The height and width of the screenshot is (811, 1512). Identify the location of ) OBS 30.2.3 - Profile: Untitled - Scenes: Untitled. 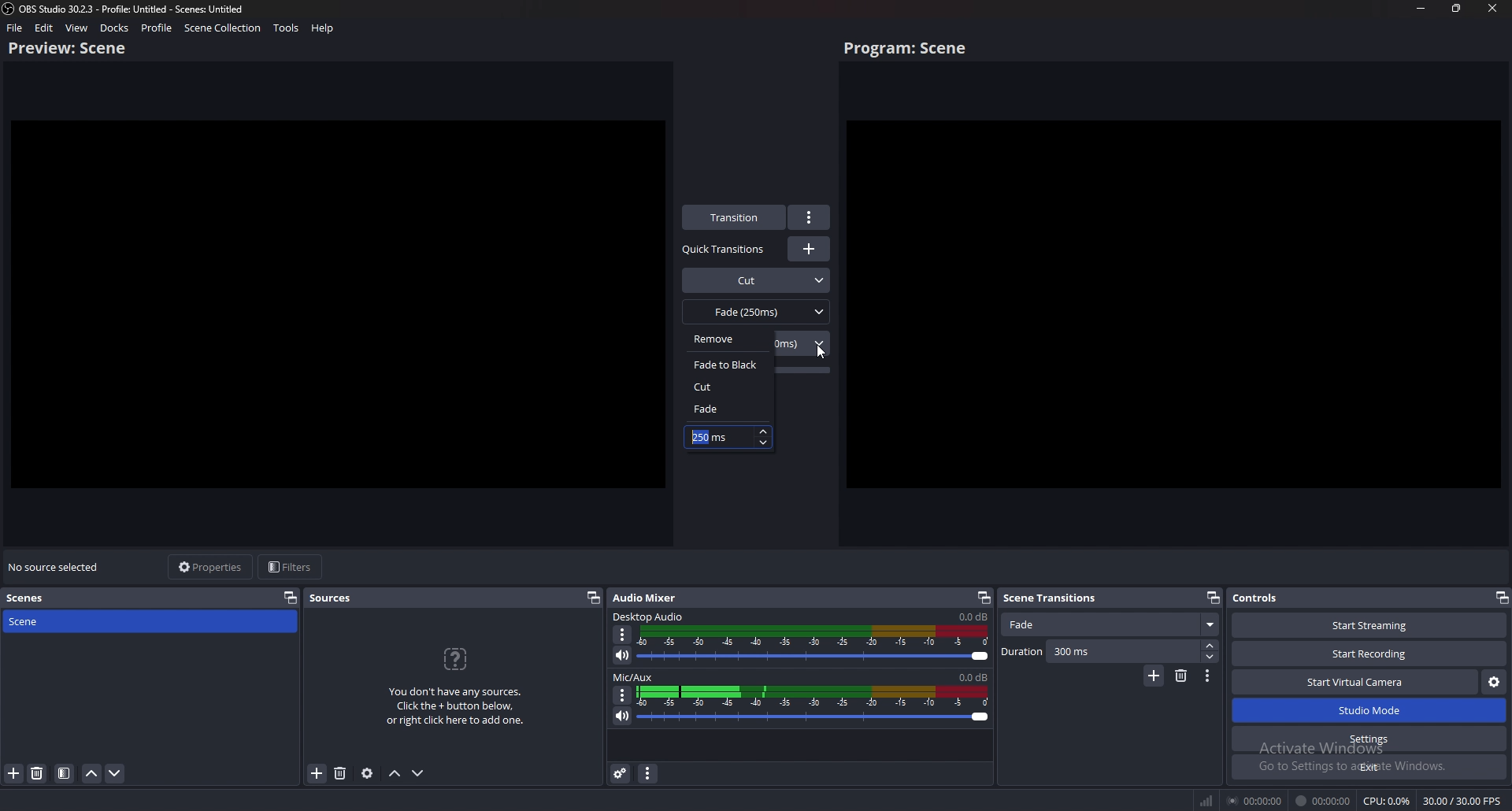
(135, 8).